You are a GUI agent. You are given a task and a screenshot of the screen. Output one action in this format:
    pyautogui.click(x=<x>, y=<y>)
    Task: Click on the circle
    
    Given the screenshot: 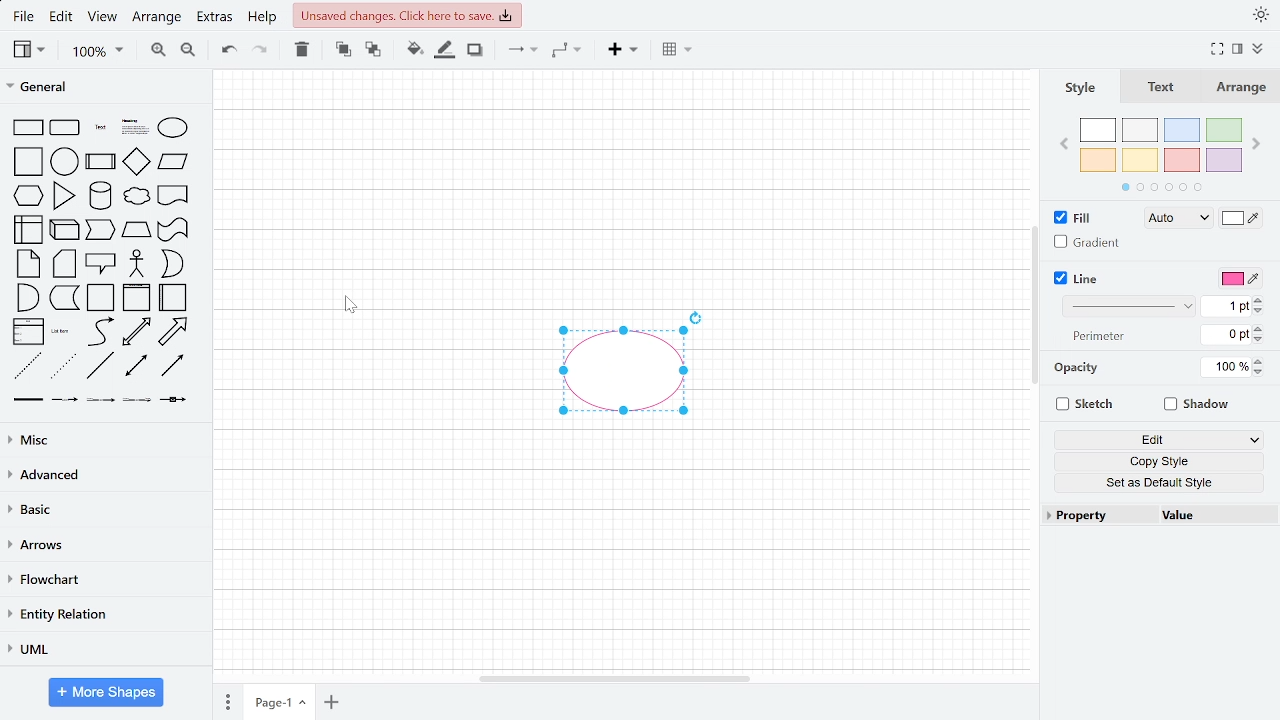 What is the action you would take?
    pyautogui.click(x=64, y=163)
    